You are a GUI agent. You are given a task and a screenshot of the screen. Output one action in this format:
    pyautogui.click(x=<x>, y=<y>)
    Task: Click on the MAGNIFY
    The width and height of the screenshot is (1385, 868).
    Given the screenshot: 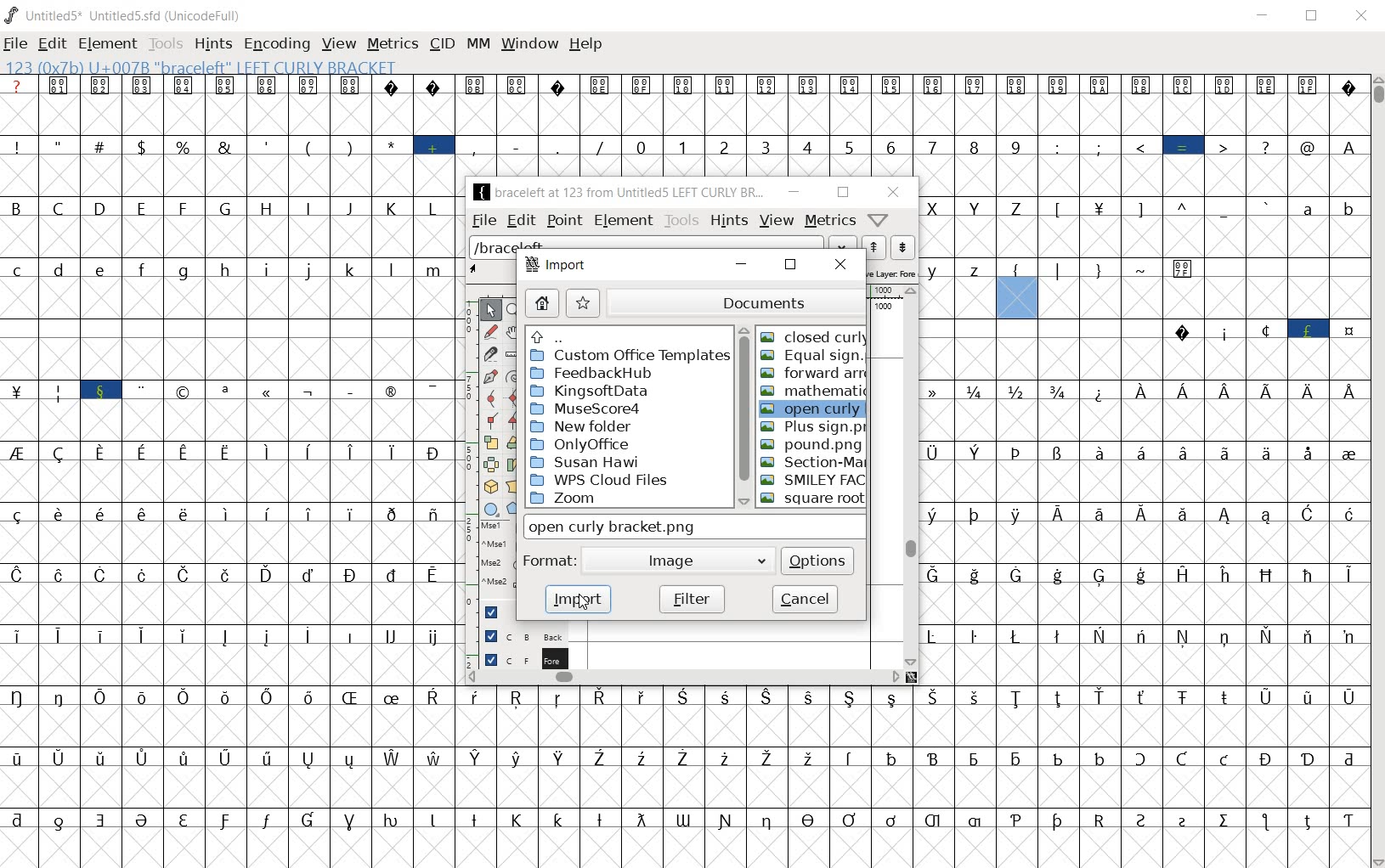 What is the action you would take?
    pyautogui.click(x=516, y=311)
    